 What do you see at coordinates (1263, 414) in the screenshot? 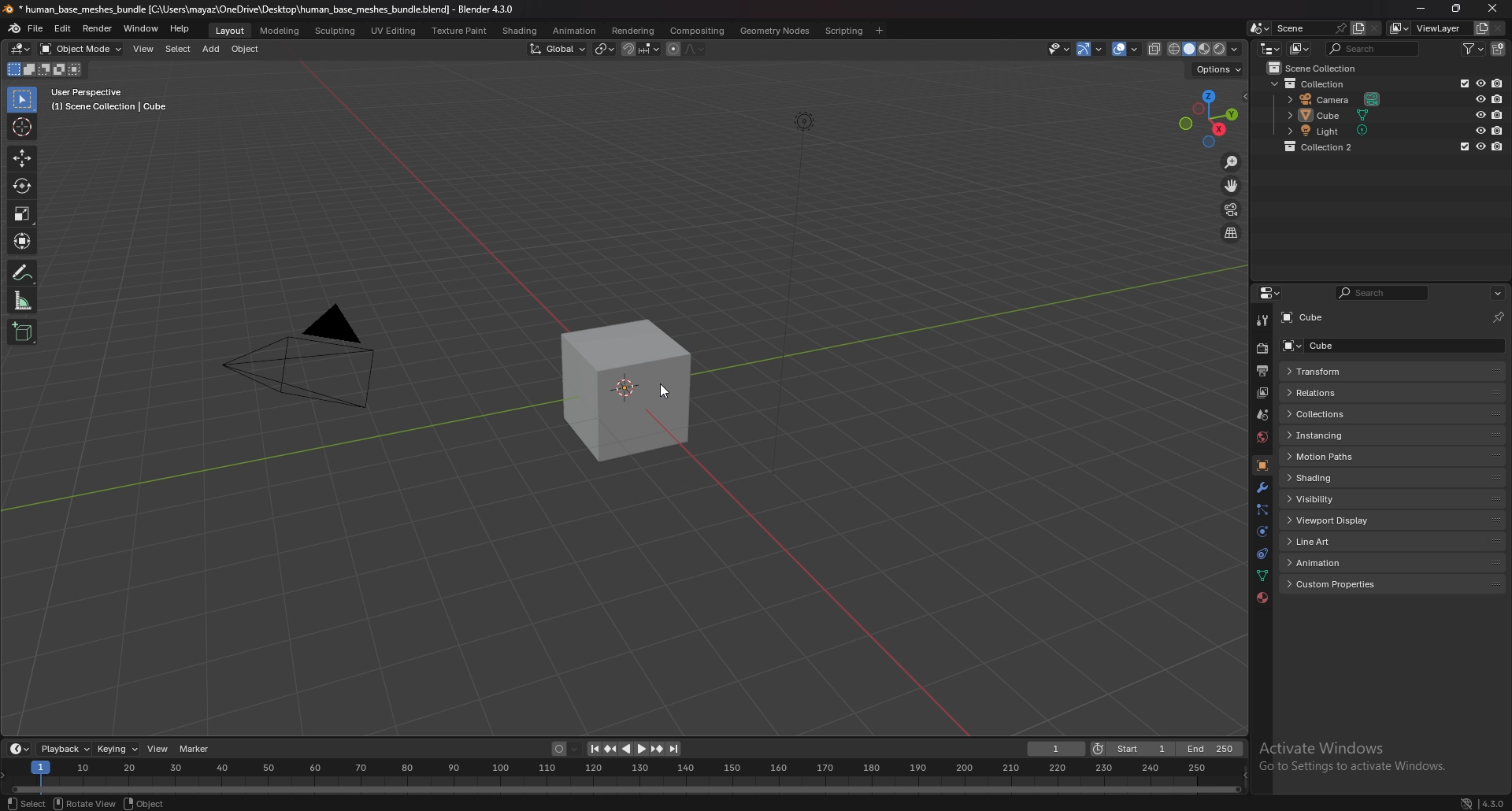
I see `scene` at bounding box center [1263, 414].